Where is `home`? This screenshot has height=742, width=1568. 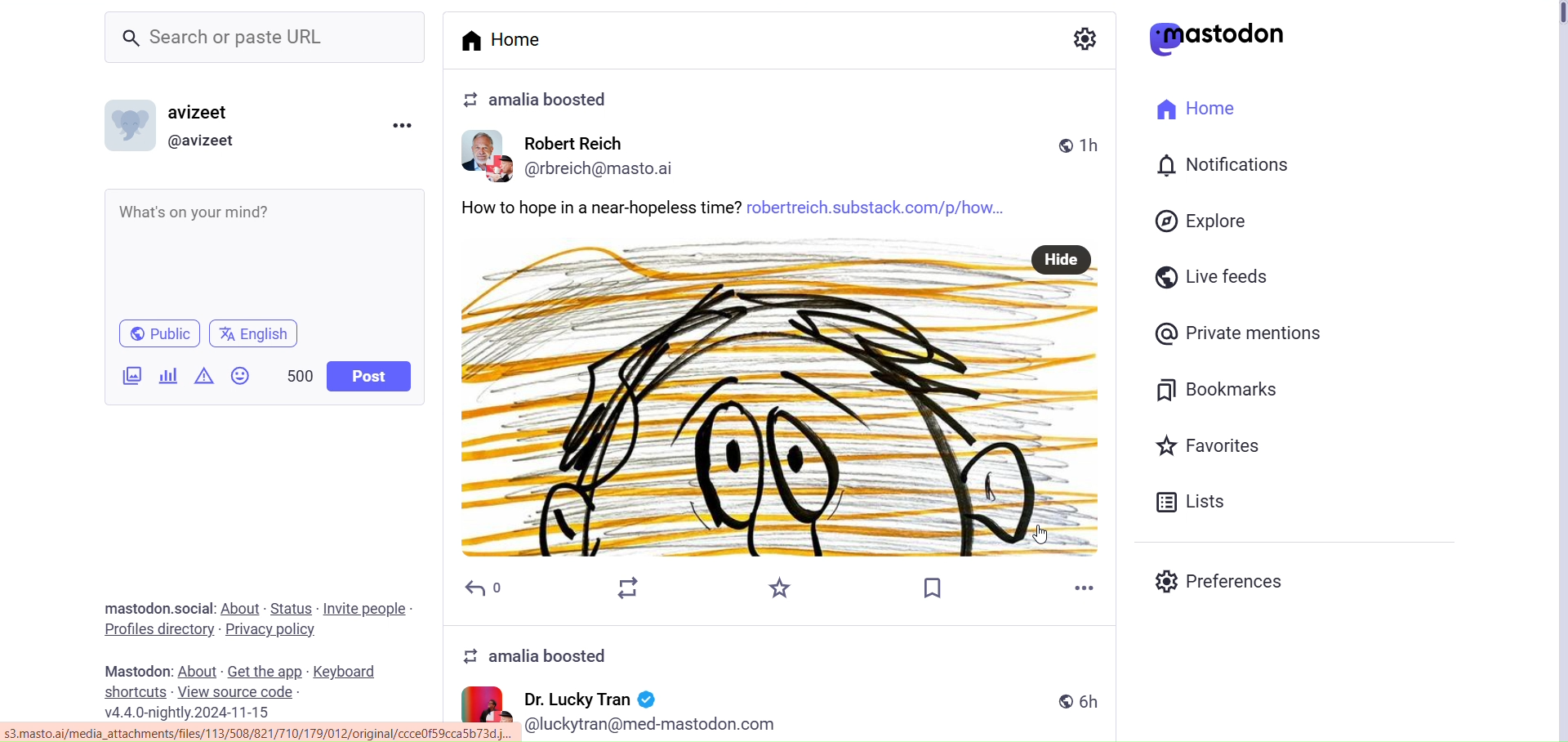 home is located at coordinates (514, 38).